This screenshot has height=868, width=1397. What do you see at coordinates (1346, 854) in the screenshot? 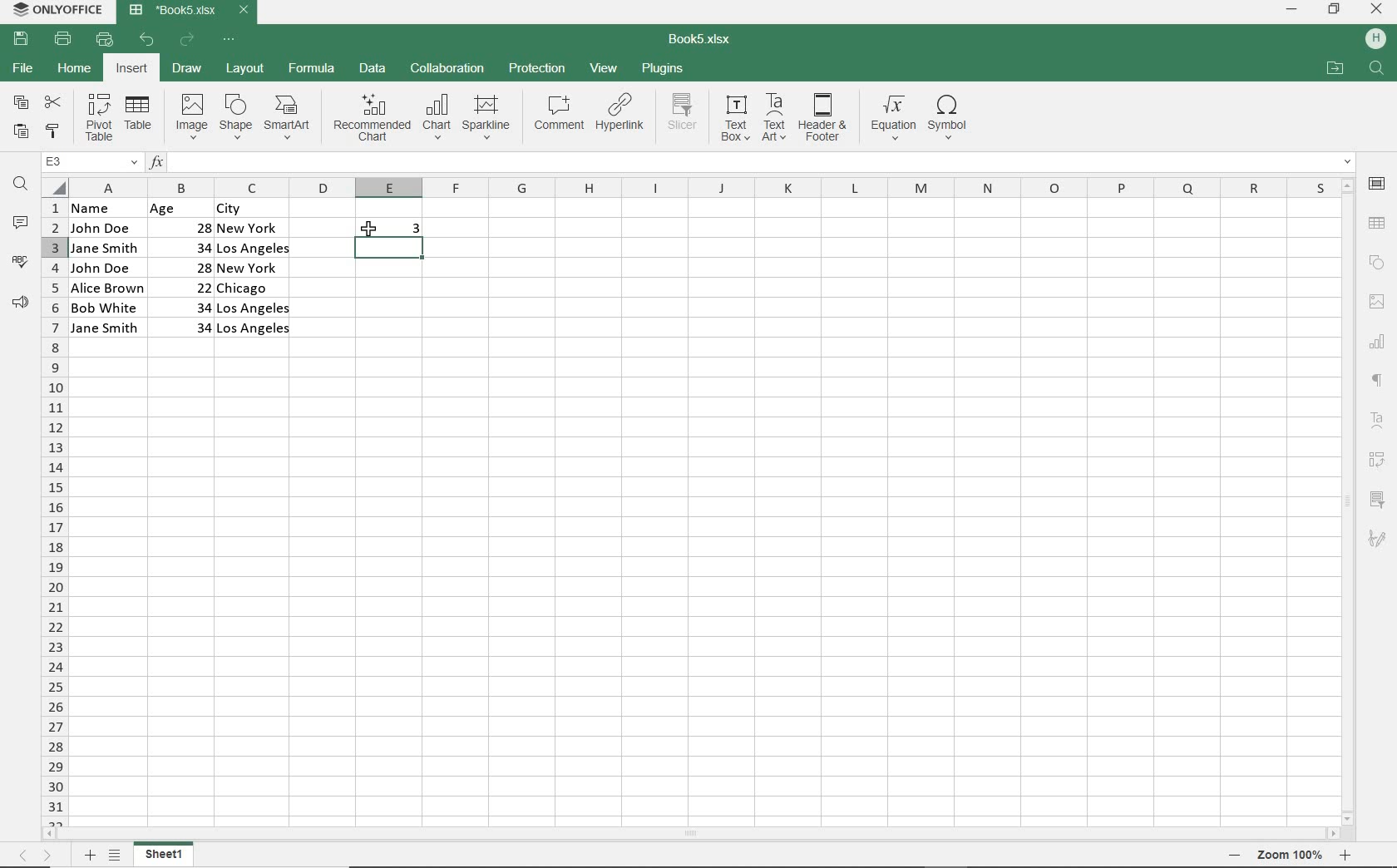
I see `zoom in` at bounding box center [1346, 854].